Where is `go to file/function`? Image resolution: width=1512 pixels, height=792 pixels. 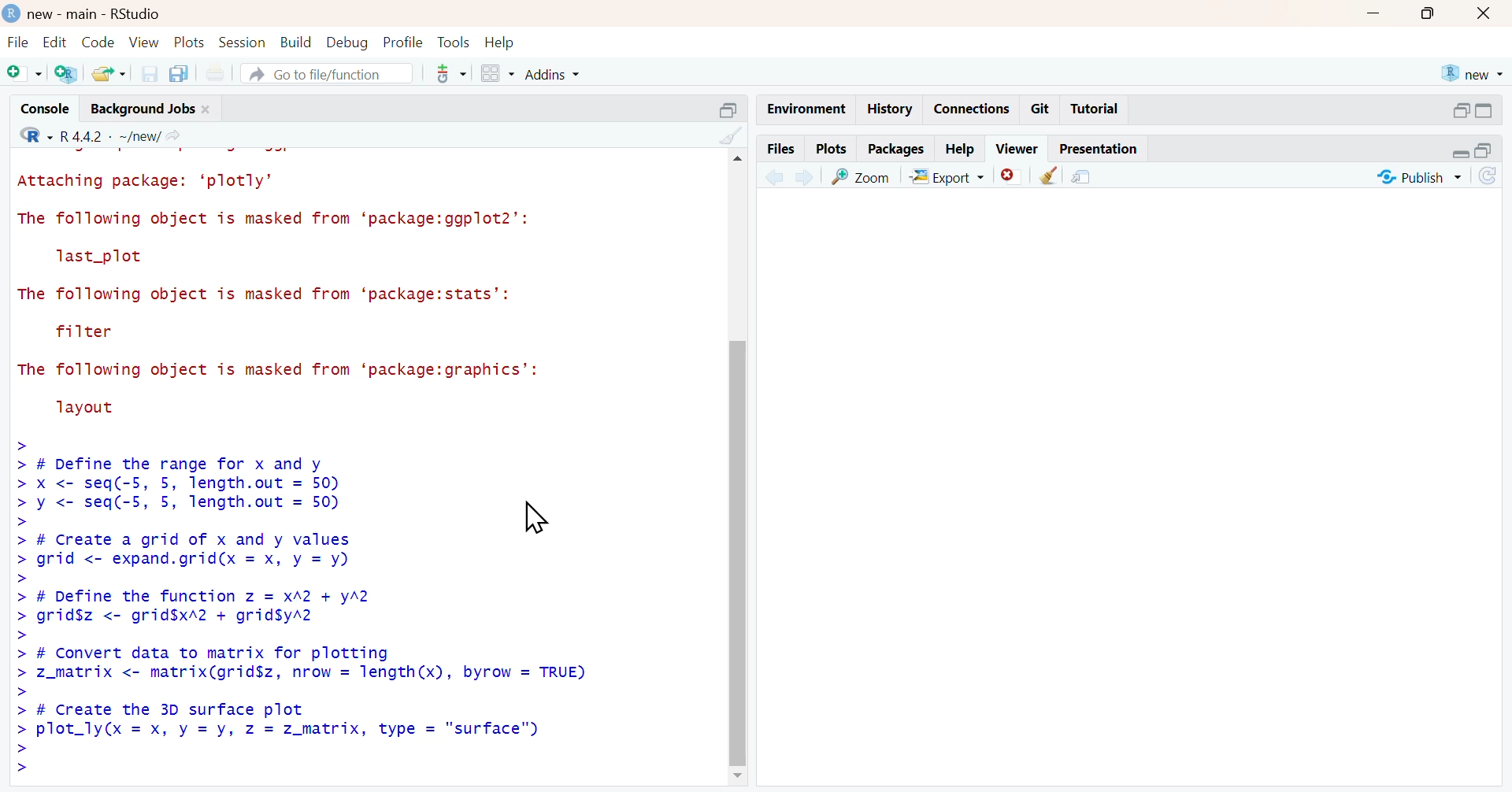
go to file/function is located at coordinates (328, 75).